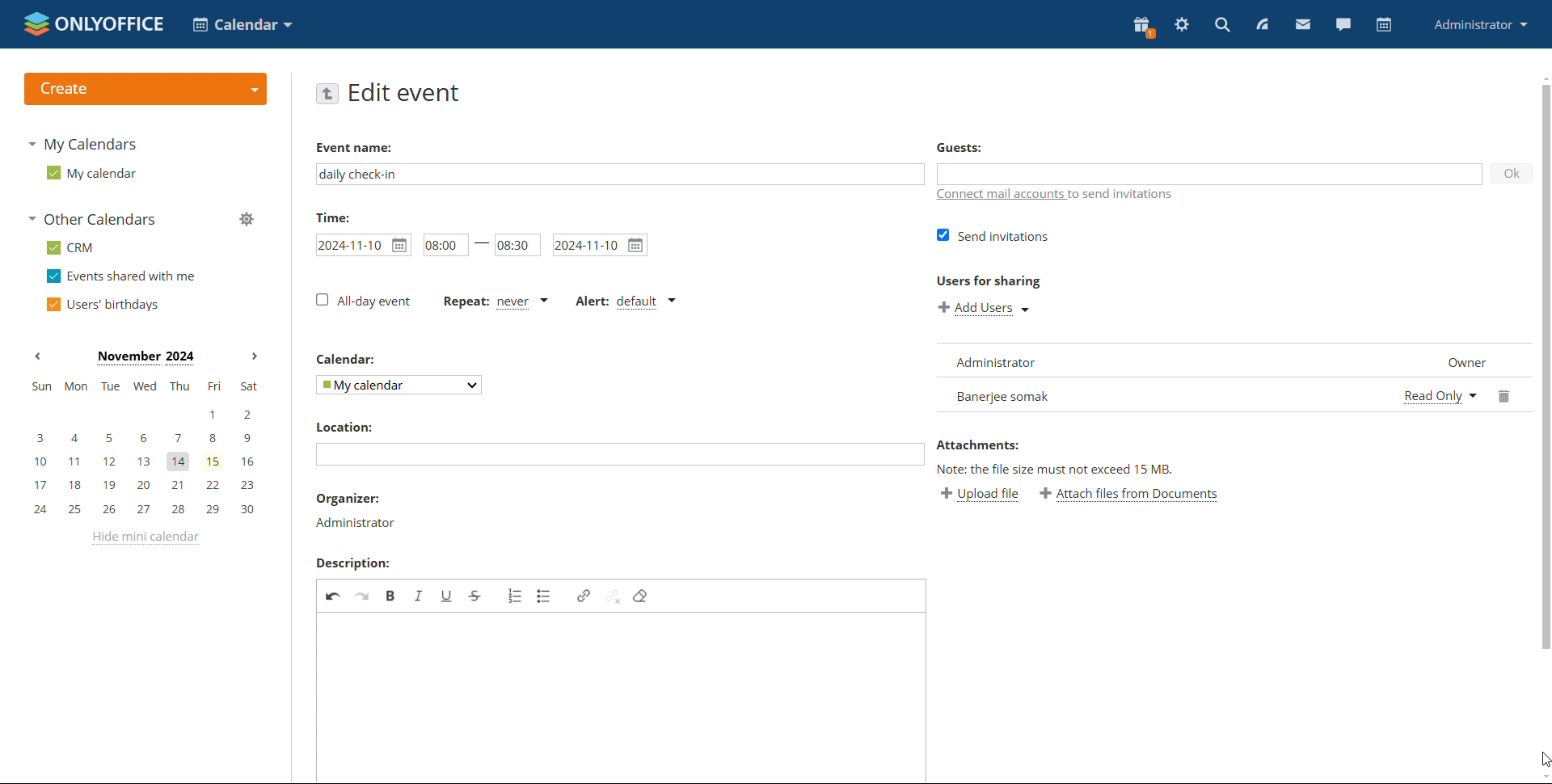 This screenshot has width=1552, height=784. Describe the element at coordinates (601, 245) in the screenshot. I see `end date` at that location.